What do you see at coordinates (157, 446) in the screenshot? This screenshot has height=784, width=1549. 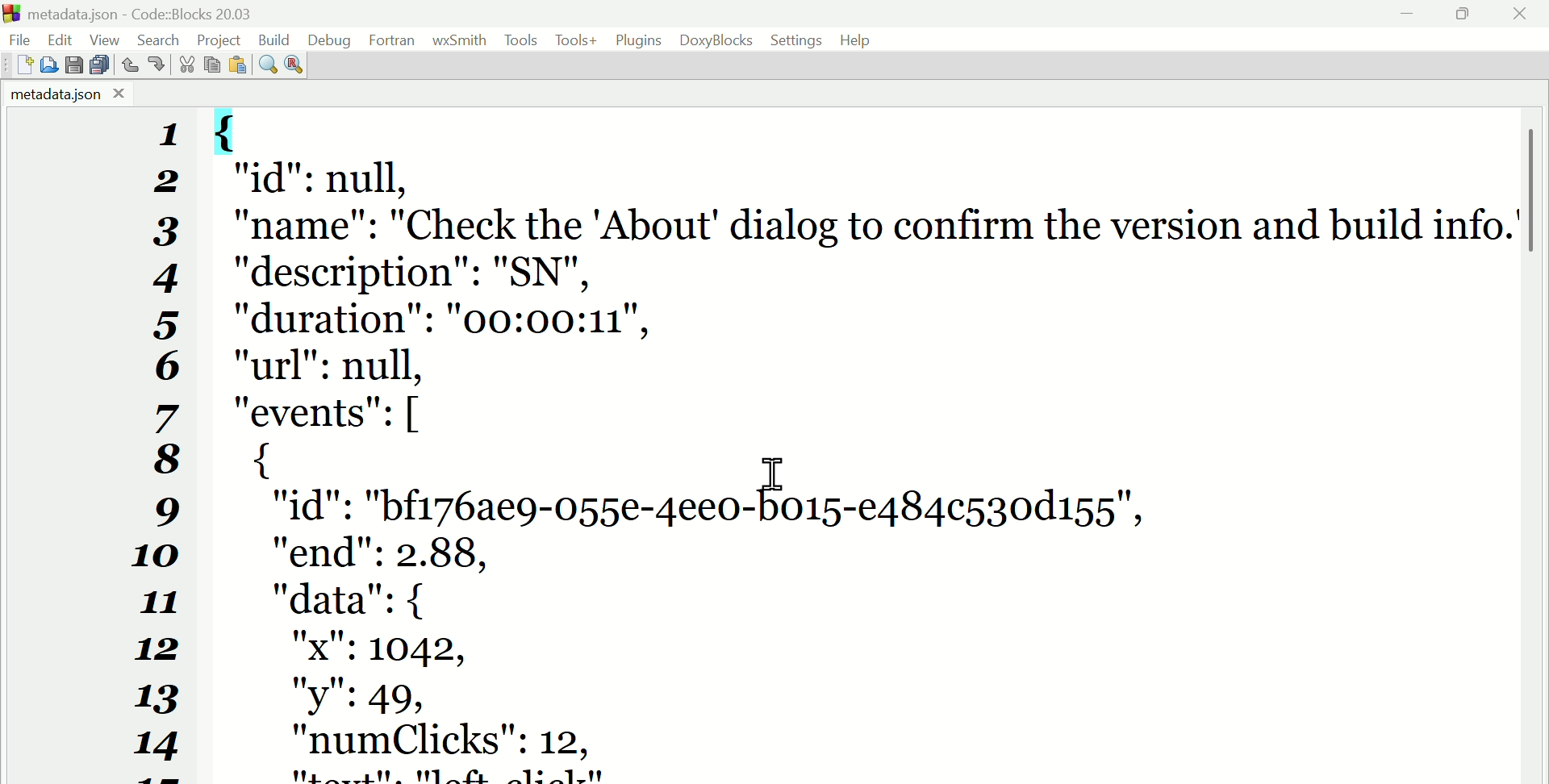 I see `1234567891011121314` at bounding box center [157, 446].